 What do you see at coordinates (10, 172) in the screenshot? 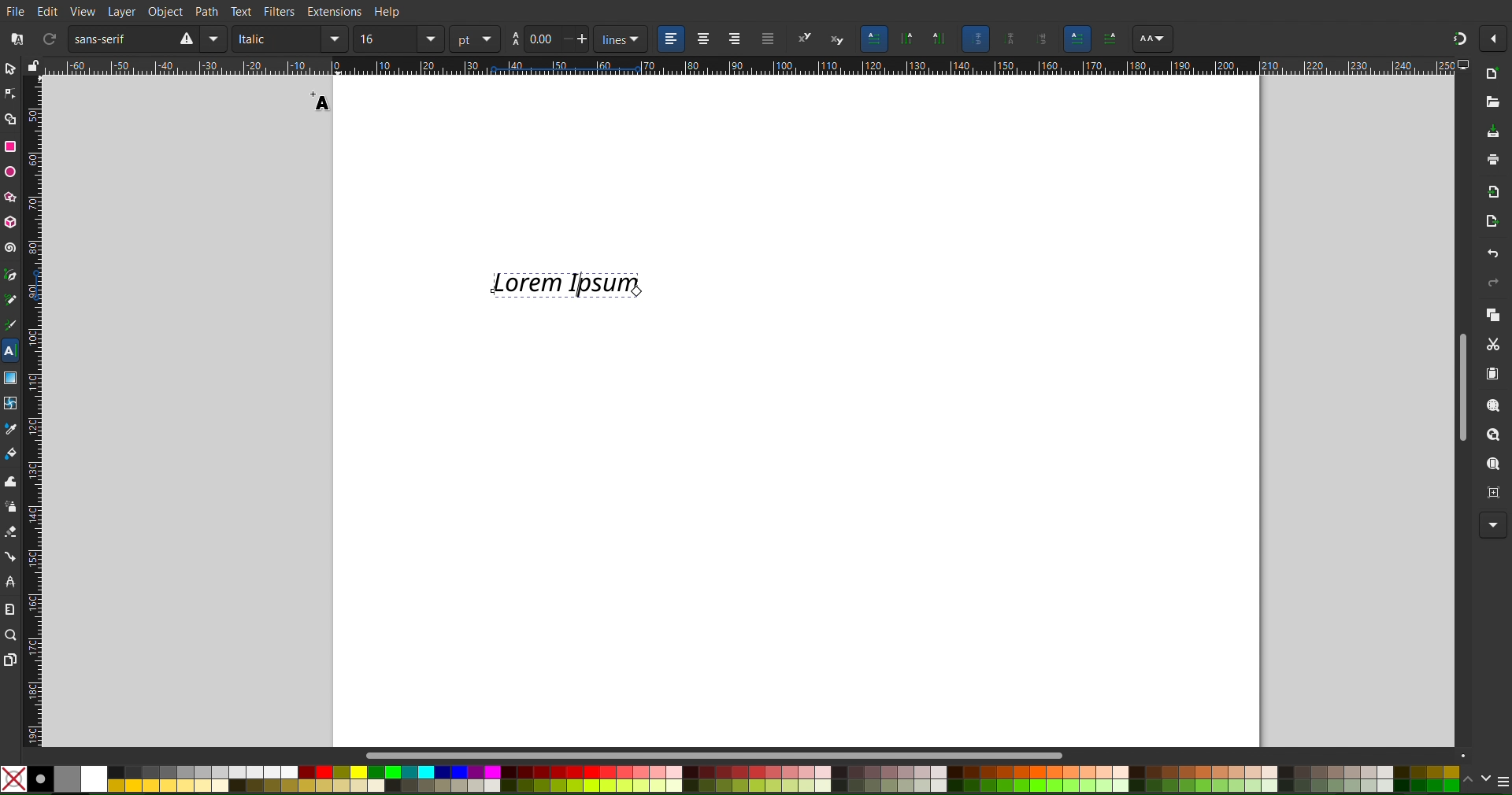
I see `Ellipse` at bounding box center [10, 172].